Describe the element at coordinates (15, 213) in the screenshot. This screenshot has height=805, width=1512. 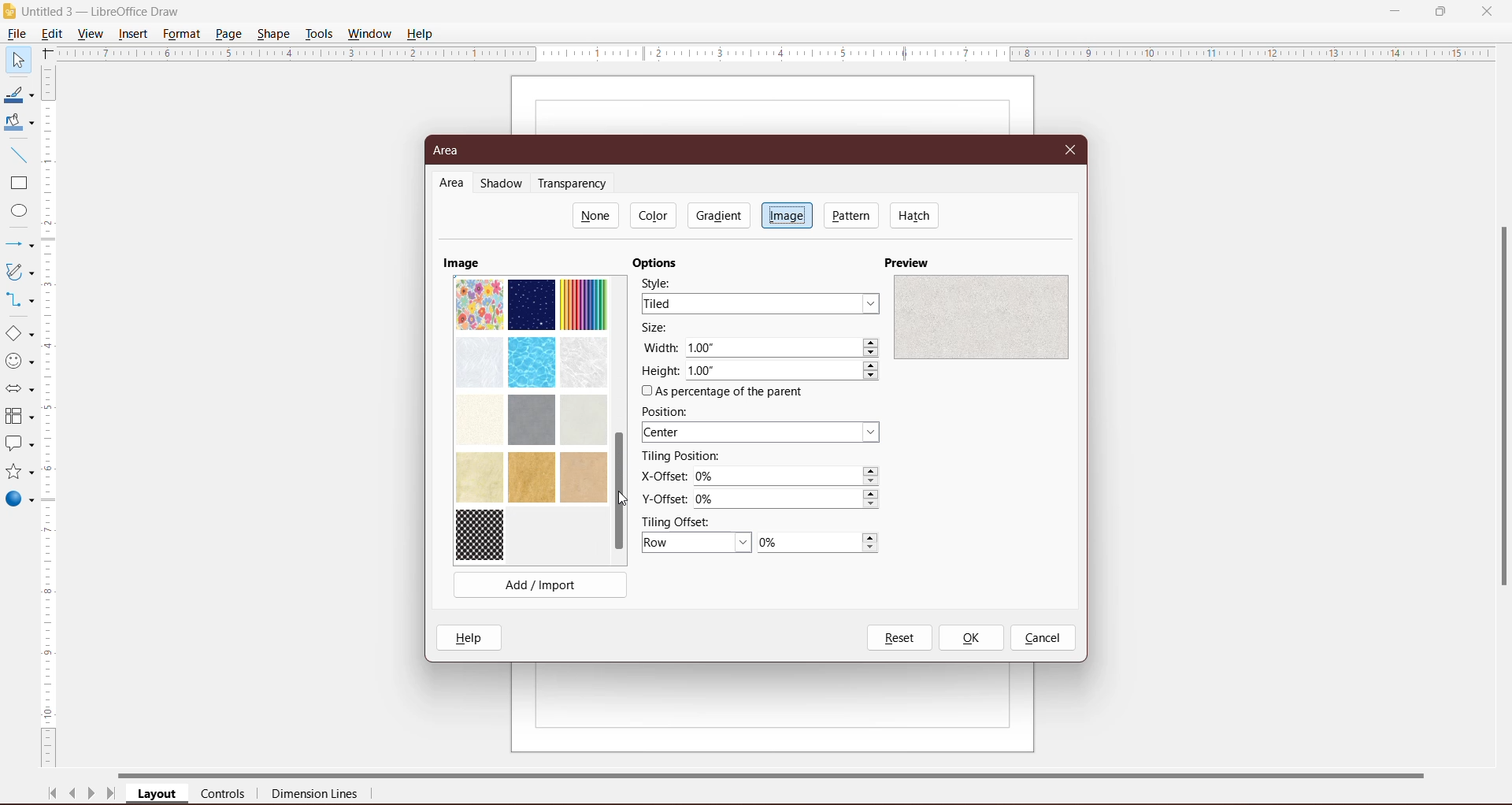
I see `Ellipse` at that location.